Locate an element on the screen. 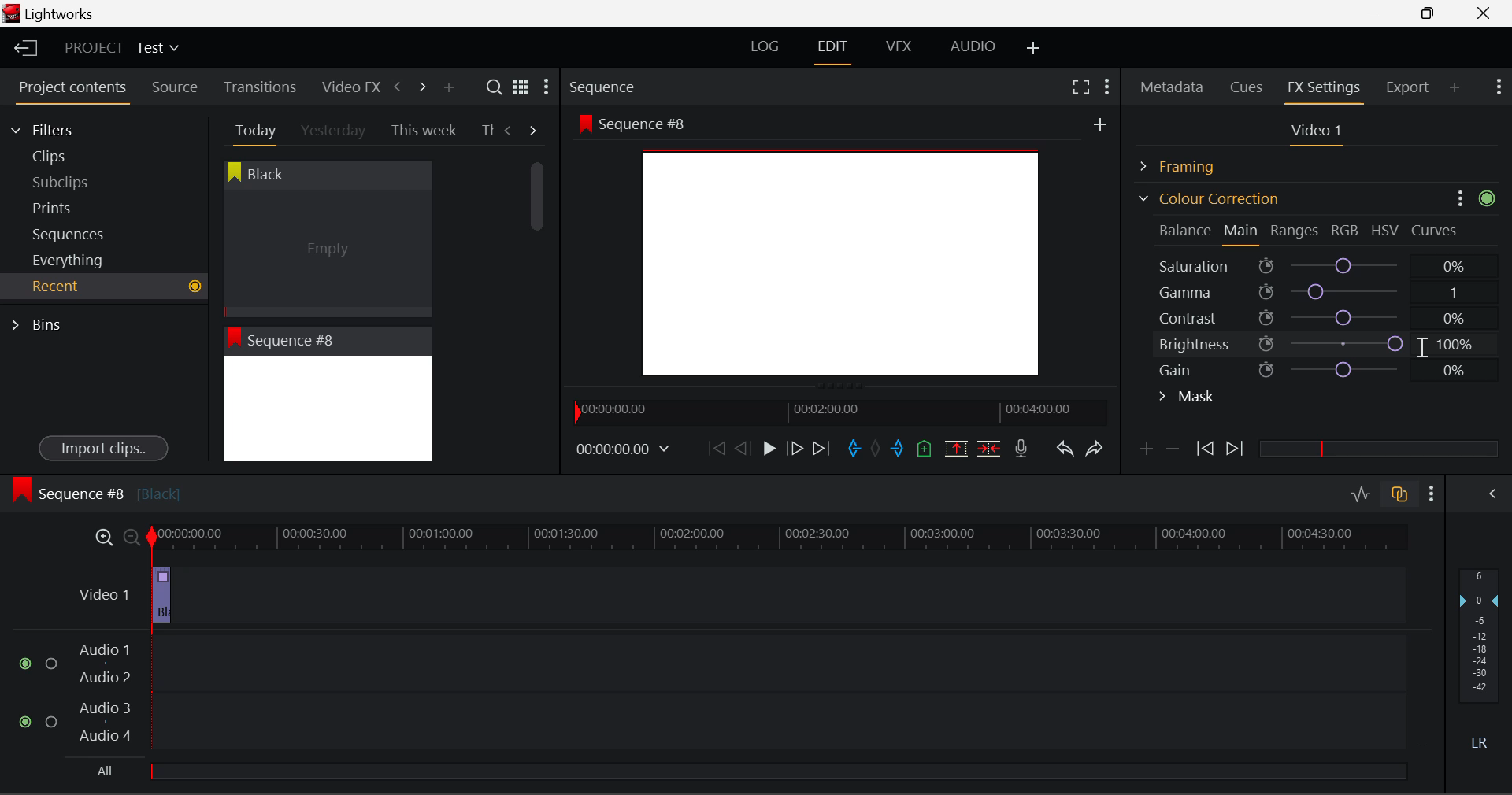 This screenshot has height=795, width=1512. Colour Correction is located at coordinates (1208, 198).